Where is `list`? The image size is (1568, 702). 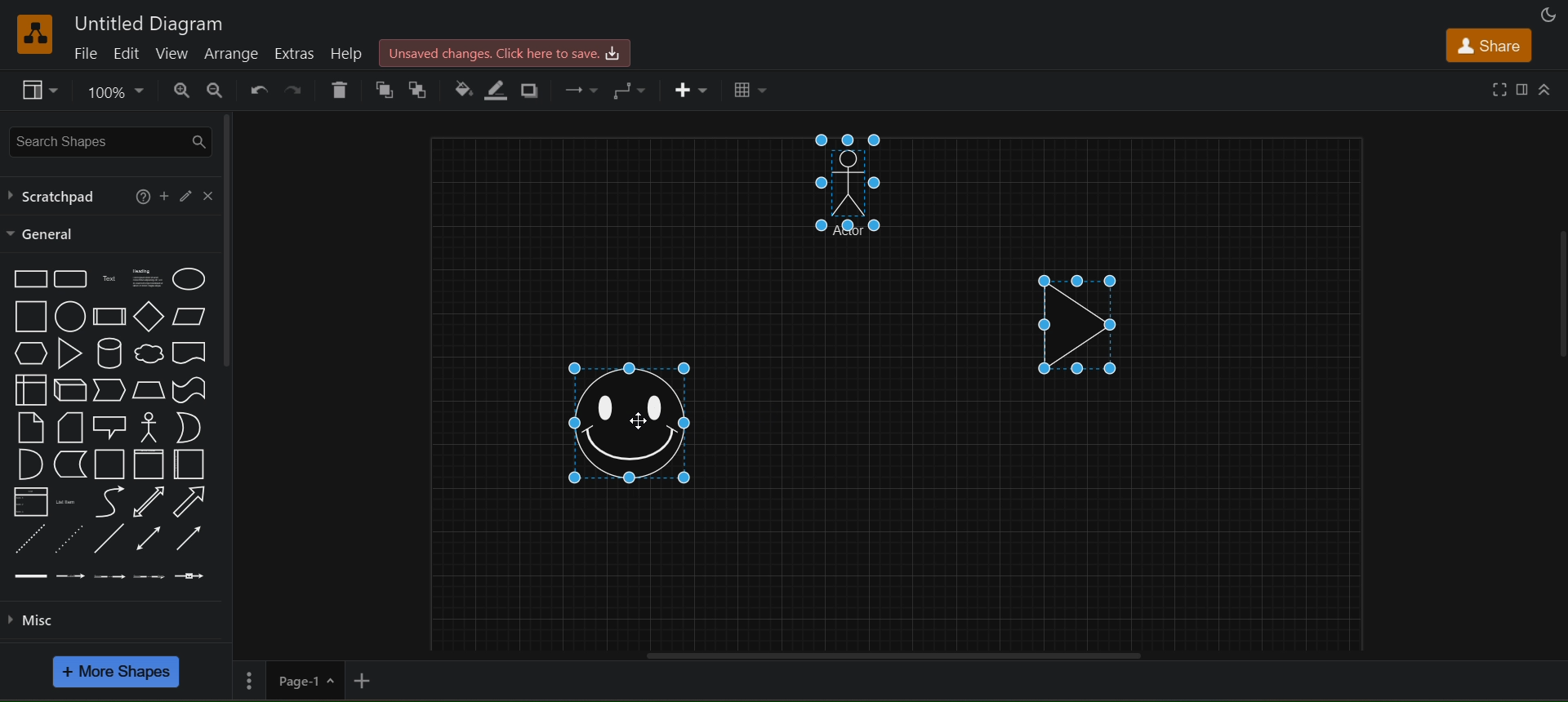
list is located at coordinates (28, 502).